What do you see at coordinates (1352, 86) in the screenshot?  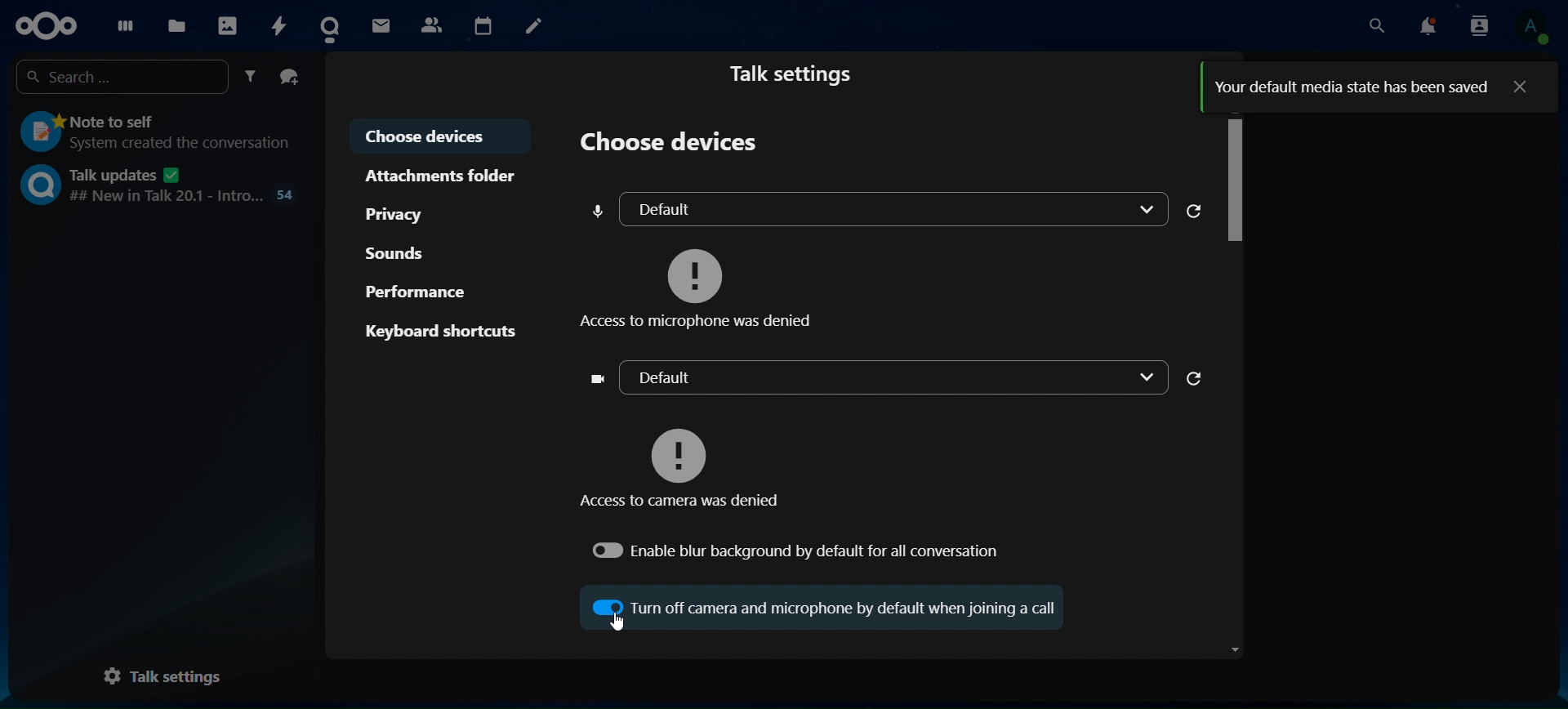 I see `text` at bounding box center [1352, 86].